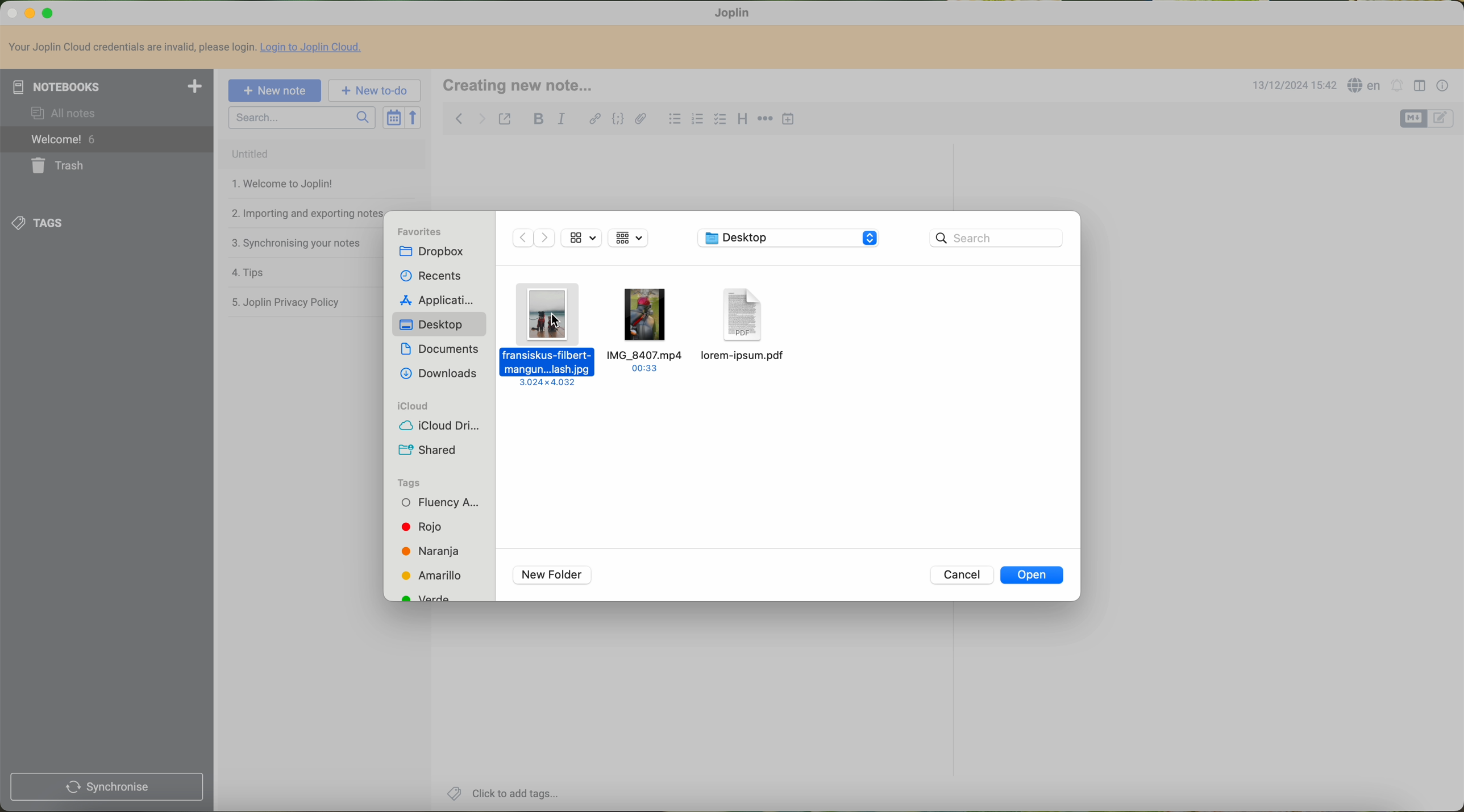 Image resolution: width=1464 pixels, height=812 pixels. What do you see at coordinates (306, 213) in the screenshot?
I see `importing and exporting notes` at bounding box center [306, 213].